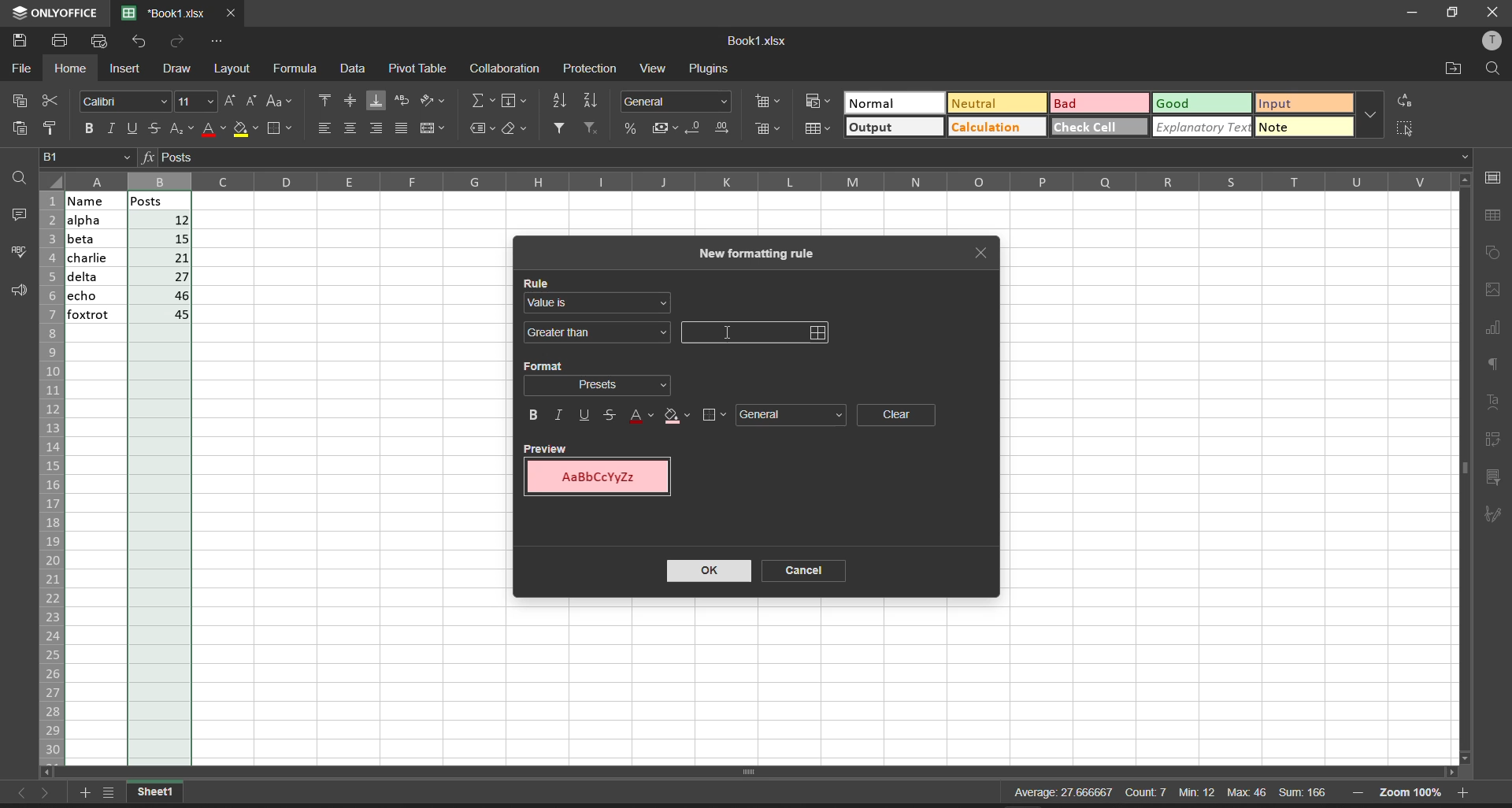 Image resolution: width=1512 pixels, height=808 pixels. What do you see at coordinates (109, 791) in the screenshot?
I see `list of sheets` at bounding box center [109, 791].